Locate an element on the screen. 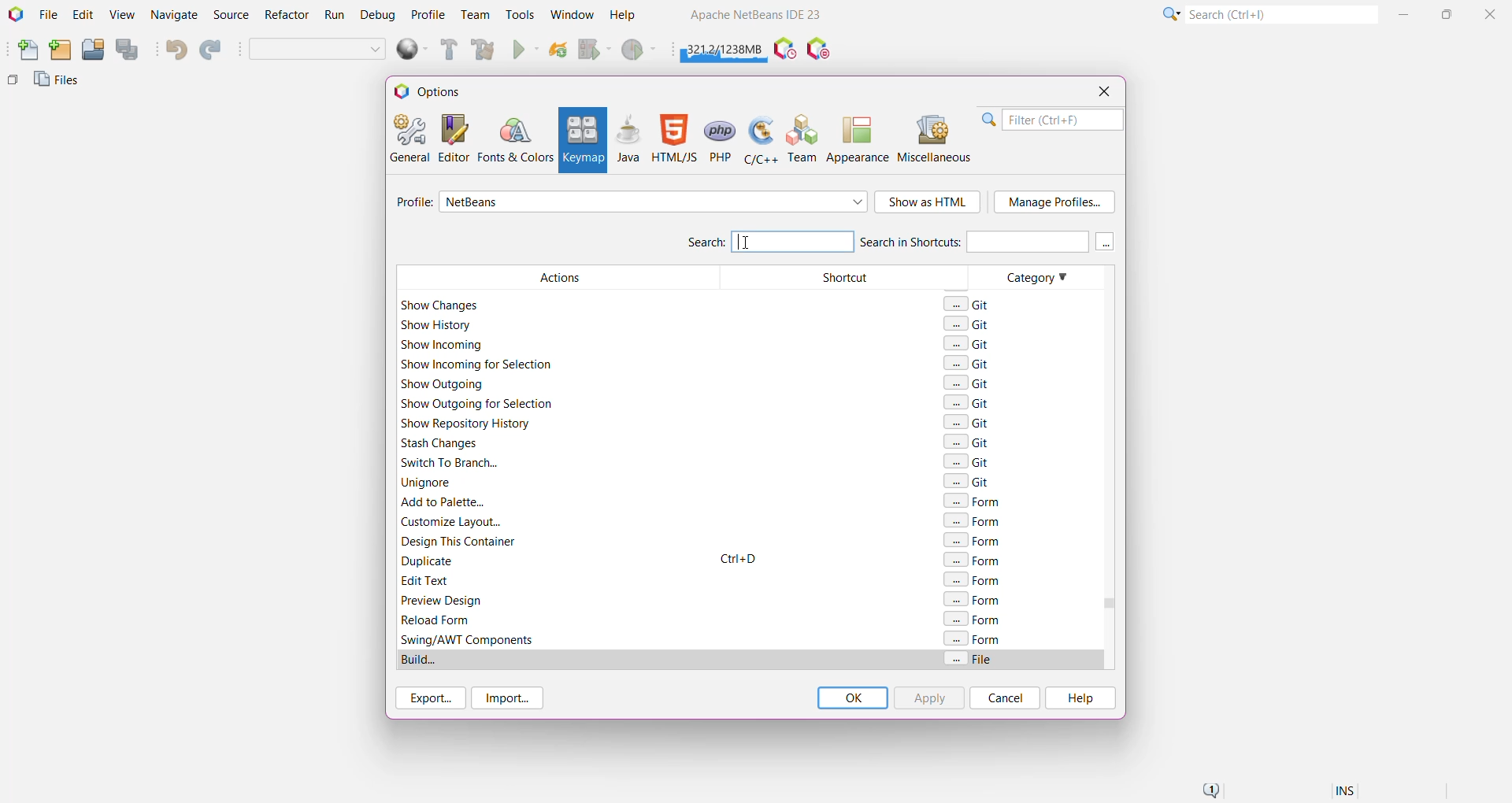 This screenshot has height=803, width=1512. Show as HTML is located at coordinates (928, 203).